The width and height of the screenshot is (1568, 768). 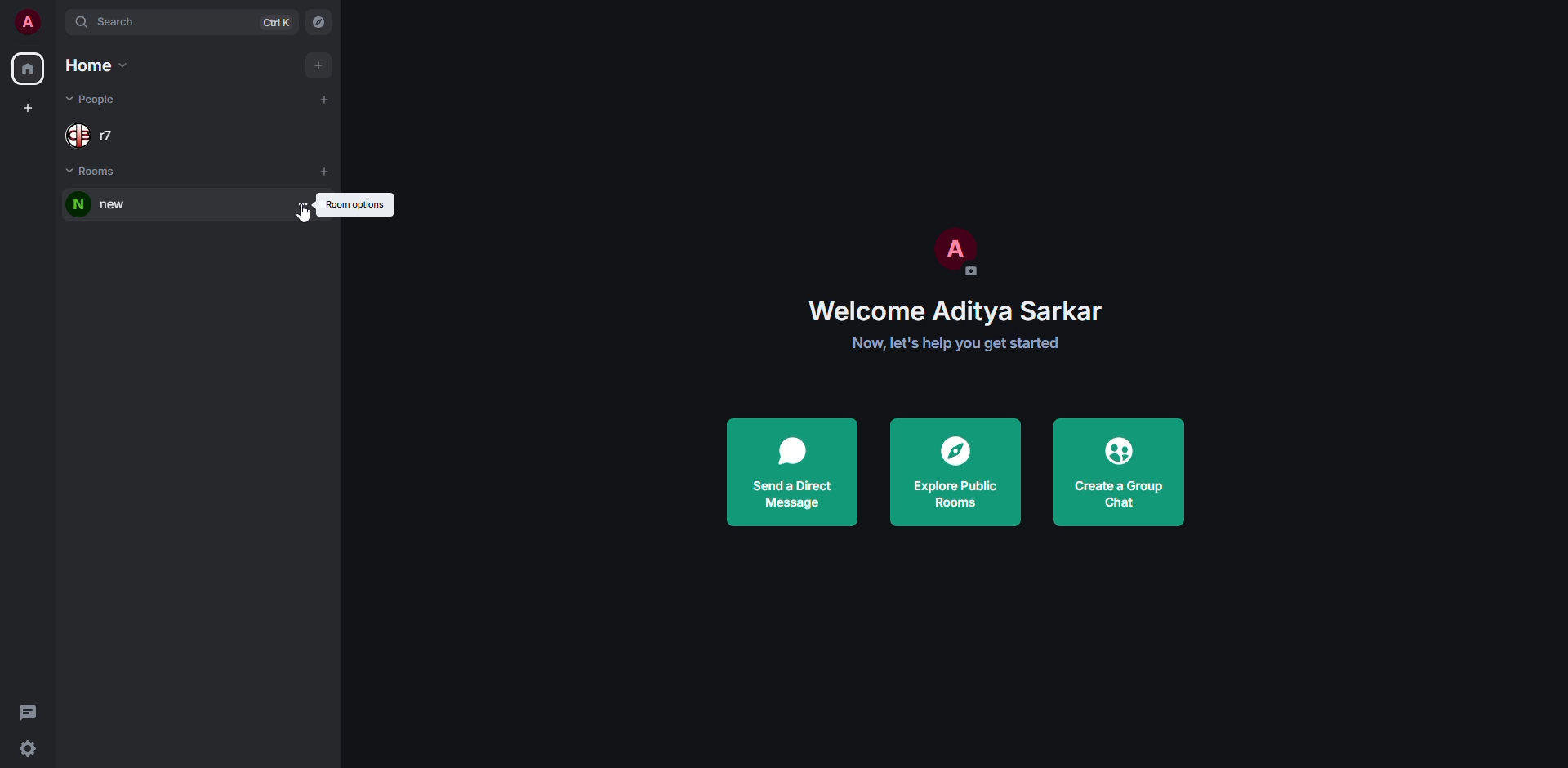 I want to click on welcome Aditya Sarkar now, let's help you get started, so click(x=966, y=327).